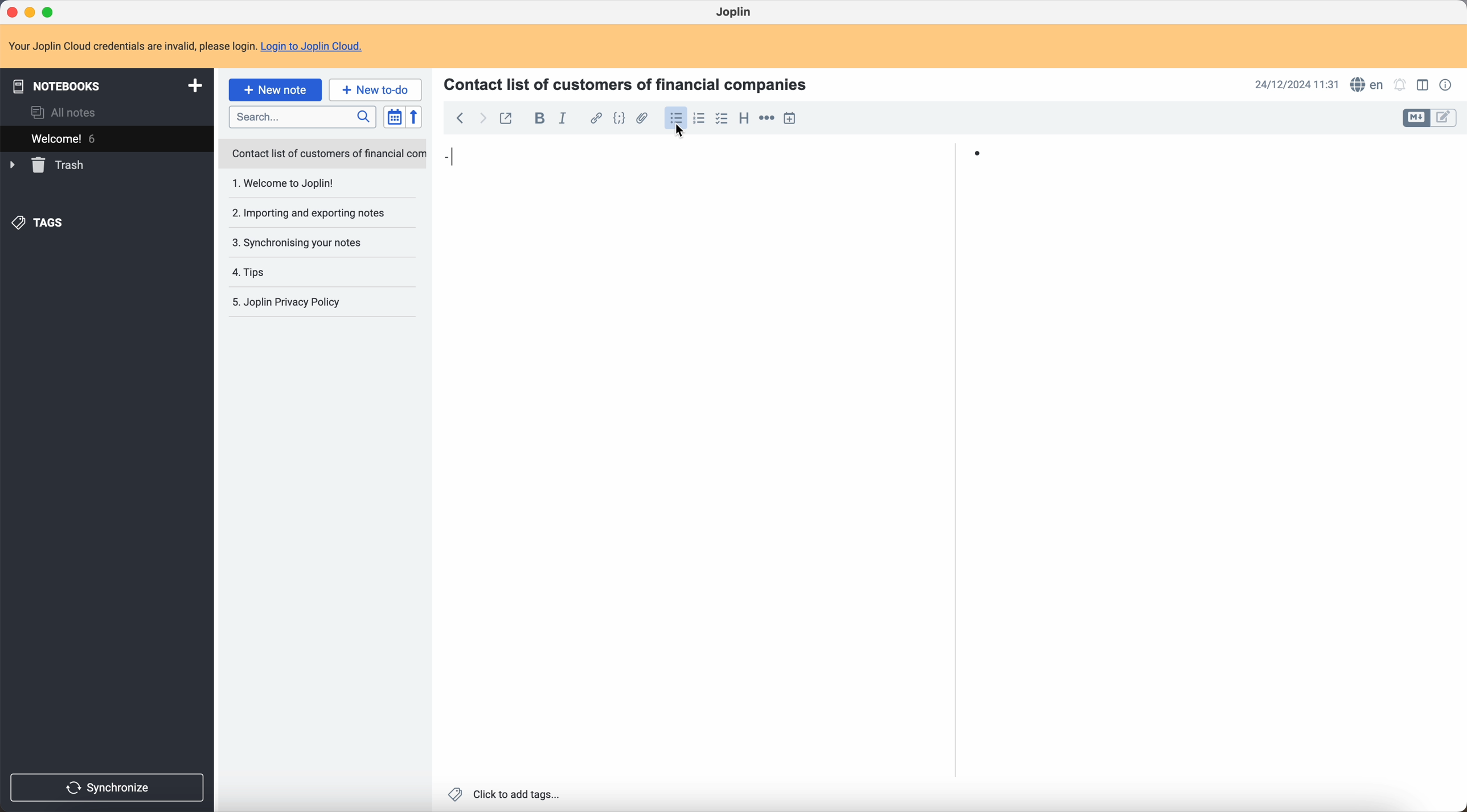 The width and height of the screenshot is (1467, 812). What do you see at coordinates (185, 44) in the screenshot?
I see `note` at bounding box center [185, 44].